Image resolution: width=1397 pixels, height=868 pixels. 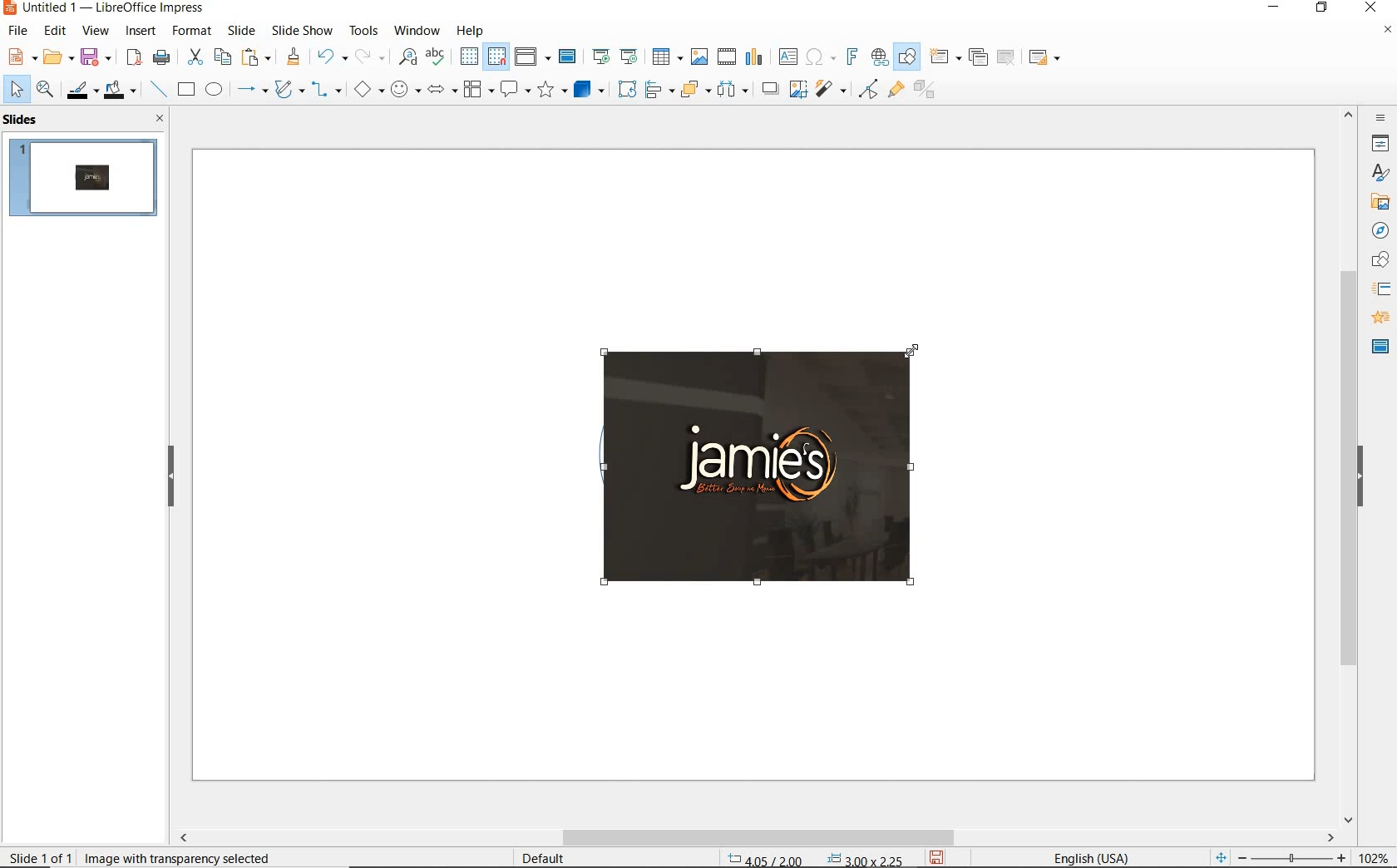 I want to click on show gluepoint functions, so click(x=892, y=91).